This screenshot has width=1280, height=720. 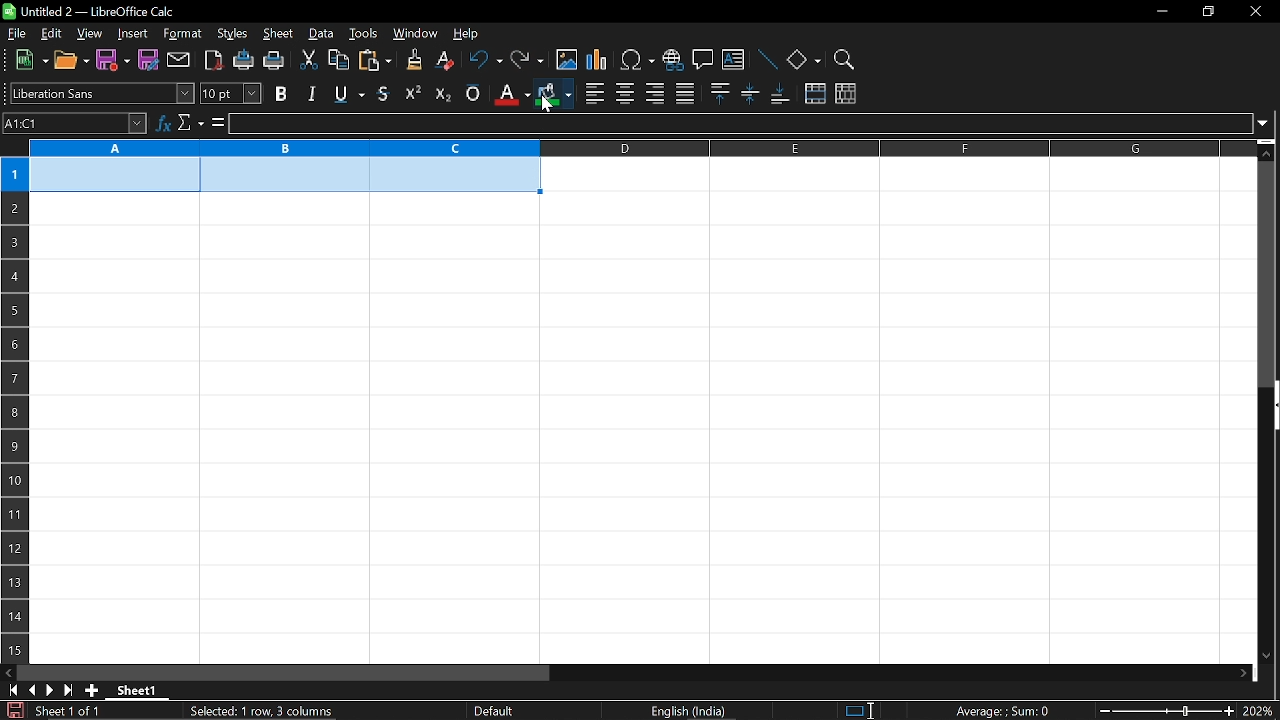 I want to click on function wizard, so click(x=163, y=124).